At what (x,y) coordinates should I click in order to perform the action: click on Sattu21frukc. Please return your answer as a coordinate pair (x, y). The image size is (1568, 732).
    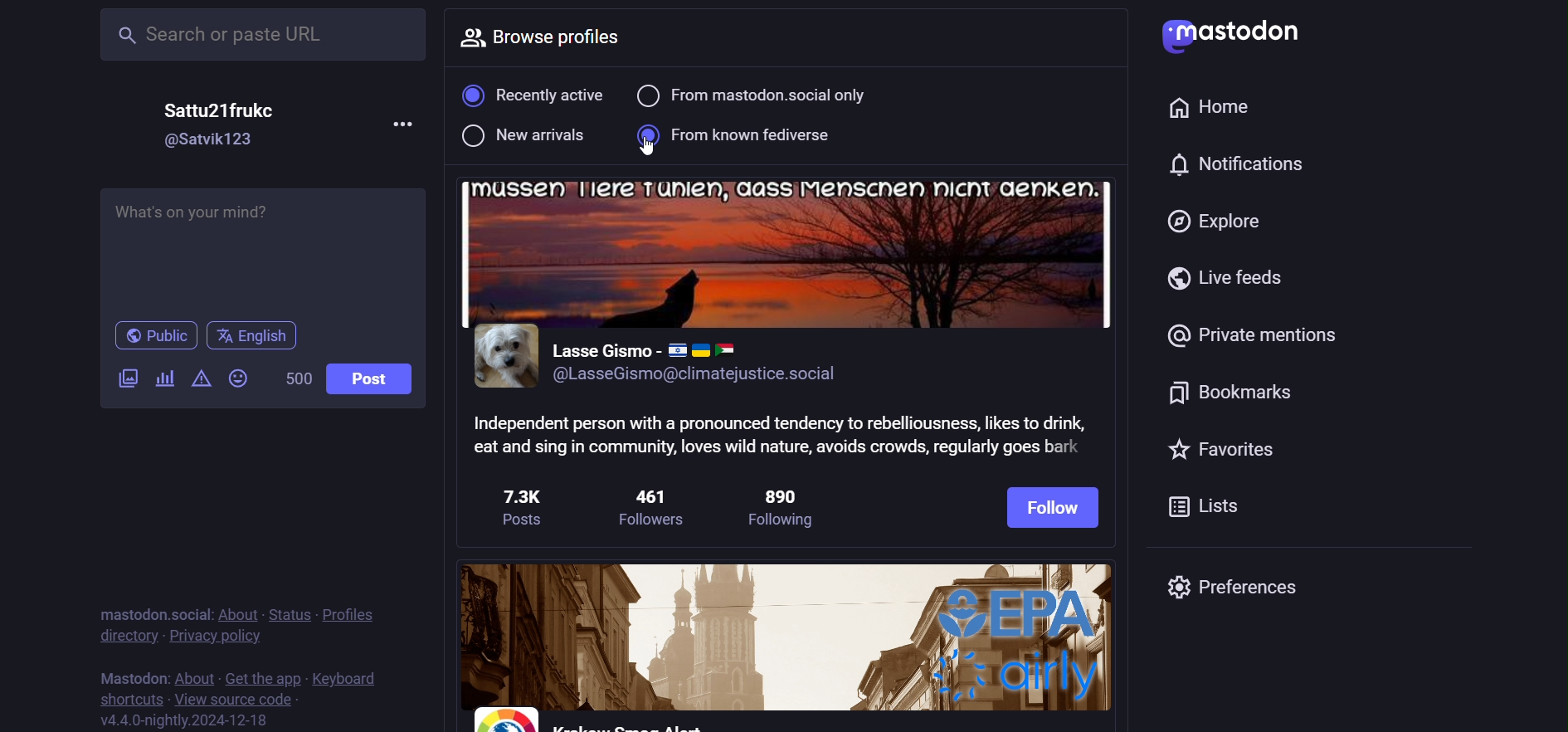
    Looking at the image, I should click on (217, 108).